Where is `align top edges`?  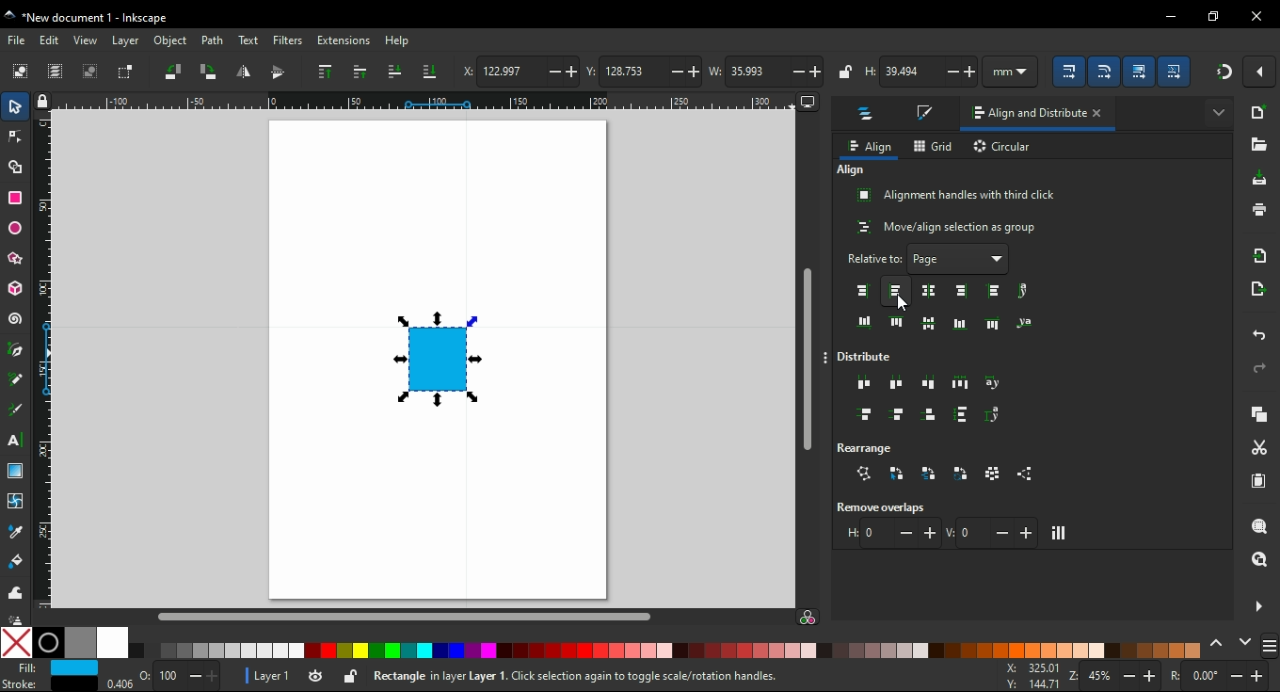 align top edges is located at coordinates (897, 321).